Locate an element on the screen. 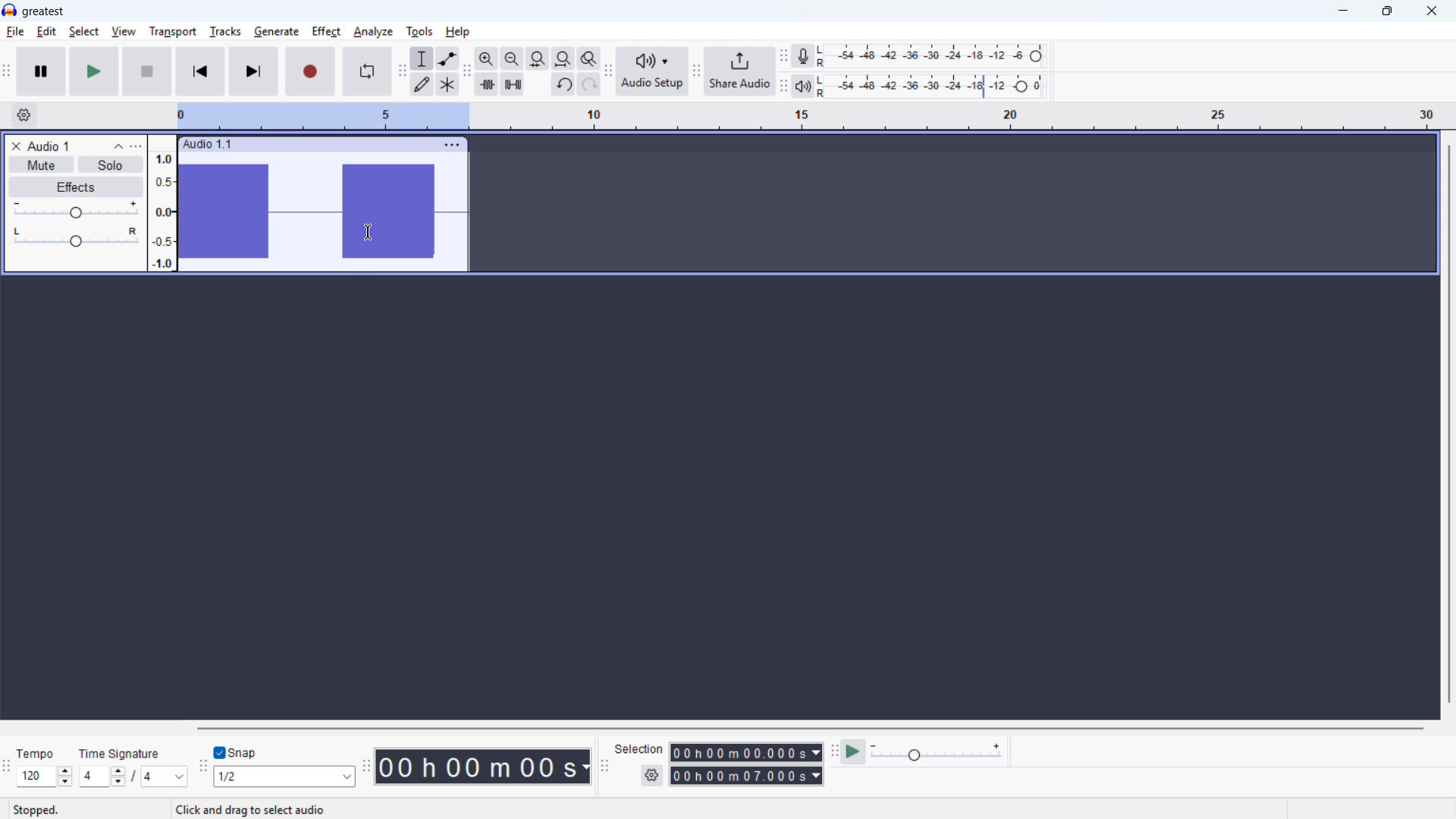 This screenshot has width=1456, height=819. Audio setup toolbar  is located at coordinates (609, 73).